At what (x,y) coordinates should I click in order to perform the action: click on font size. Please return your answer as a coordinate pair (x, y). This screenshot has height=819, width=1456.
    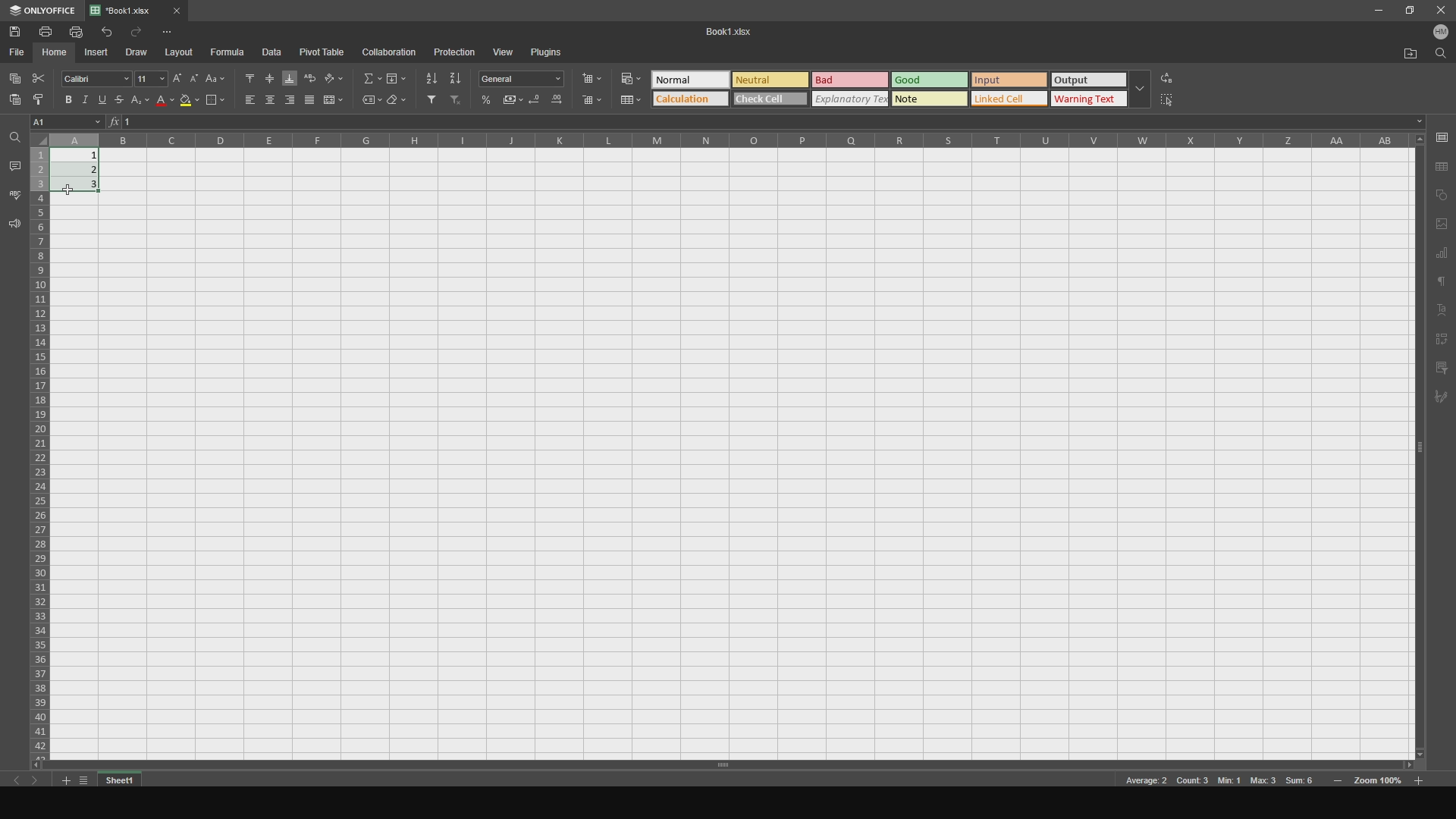
    Looking at the image, I should click on (151, 77).